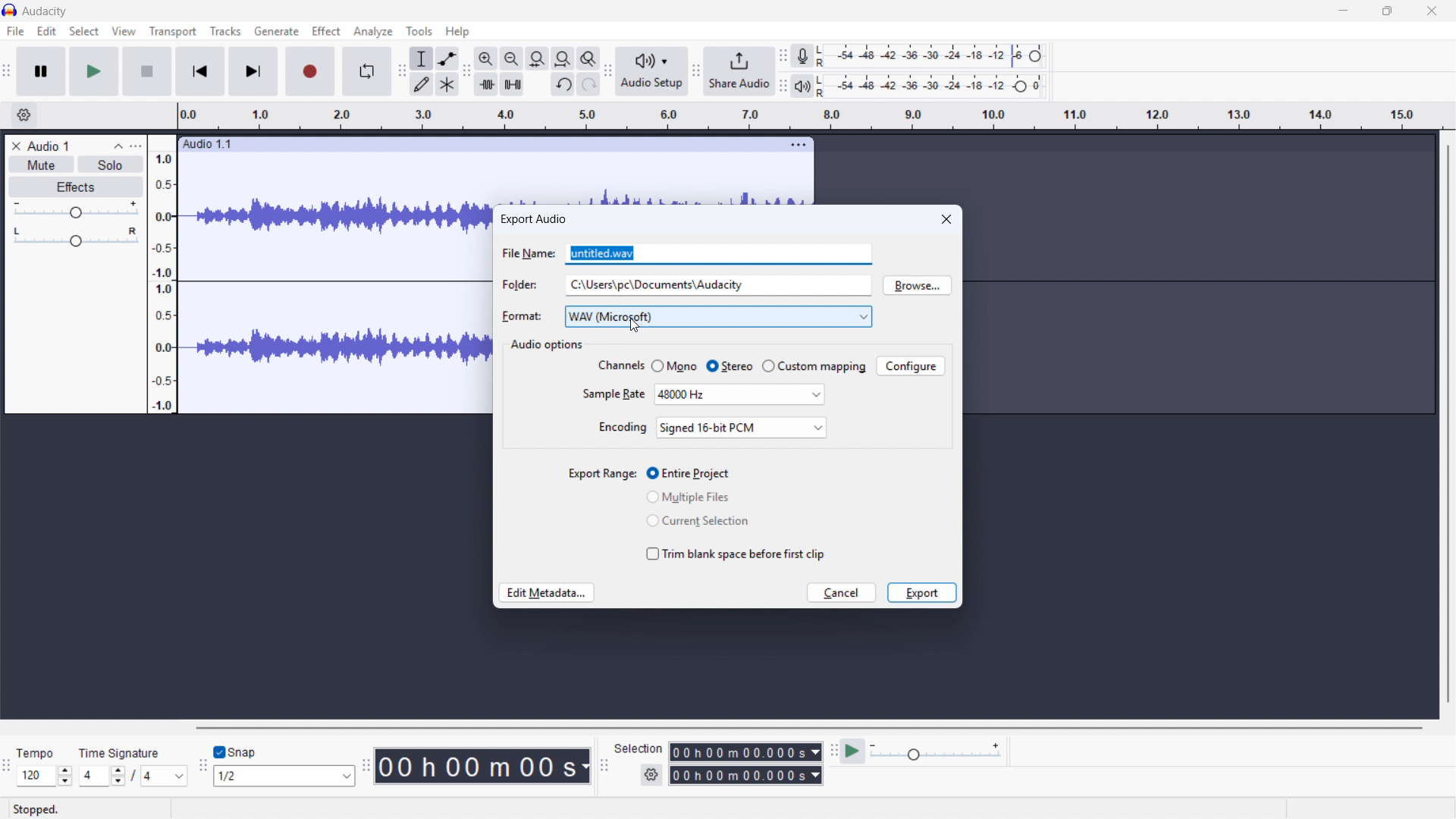 The height and width of the screenshot is (819, 1456). I want to click on cancel , so click(843, 592).